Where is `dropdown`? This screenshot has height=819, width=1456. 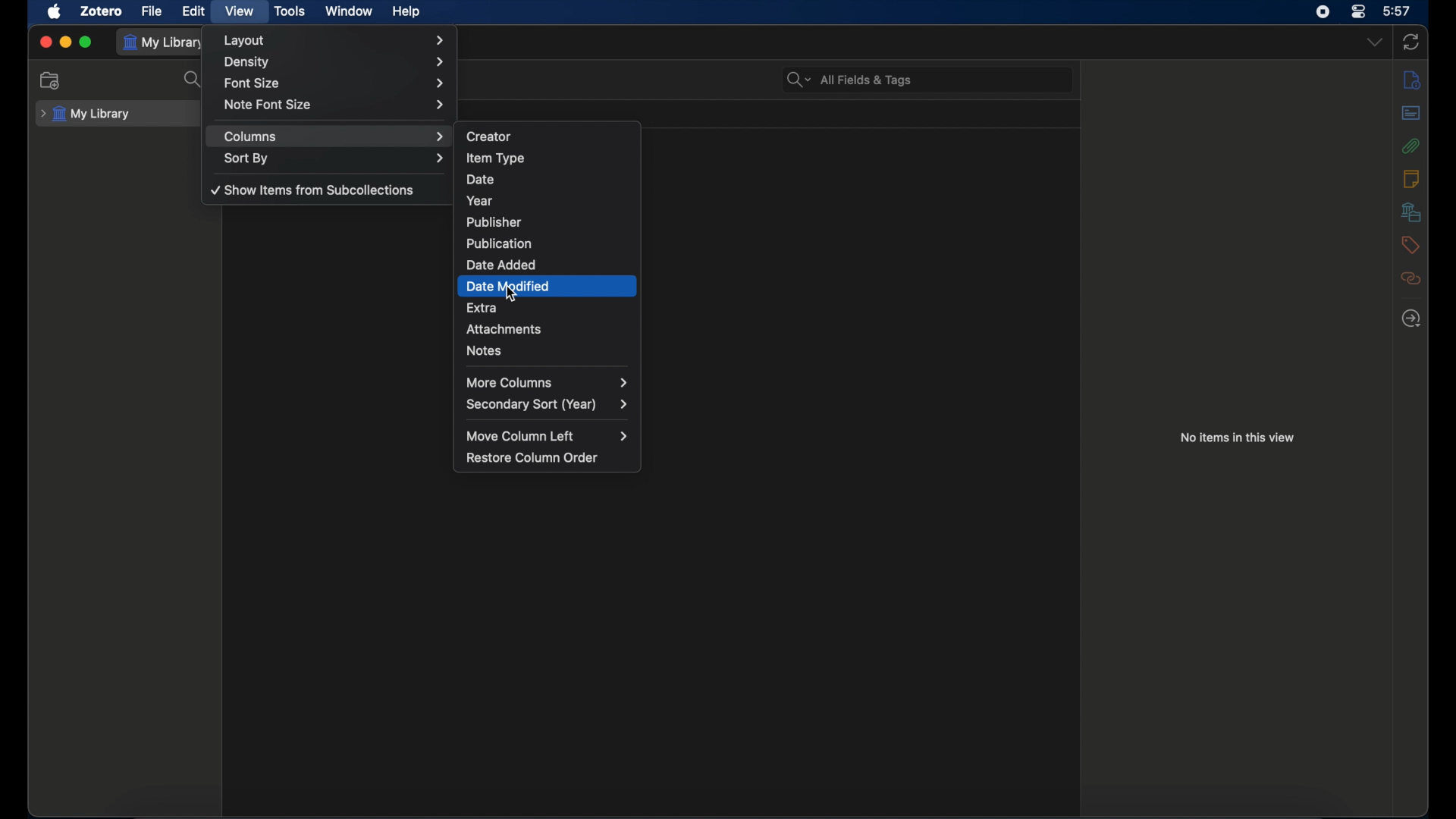
dropdown is located at coordinates (1375, 42).